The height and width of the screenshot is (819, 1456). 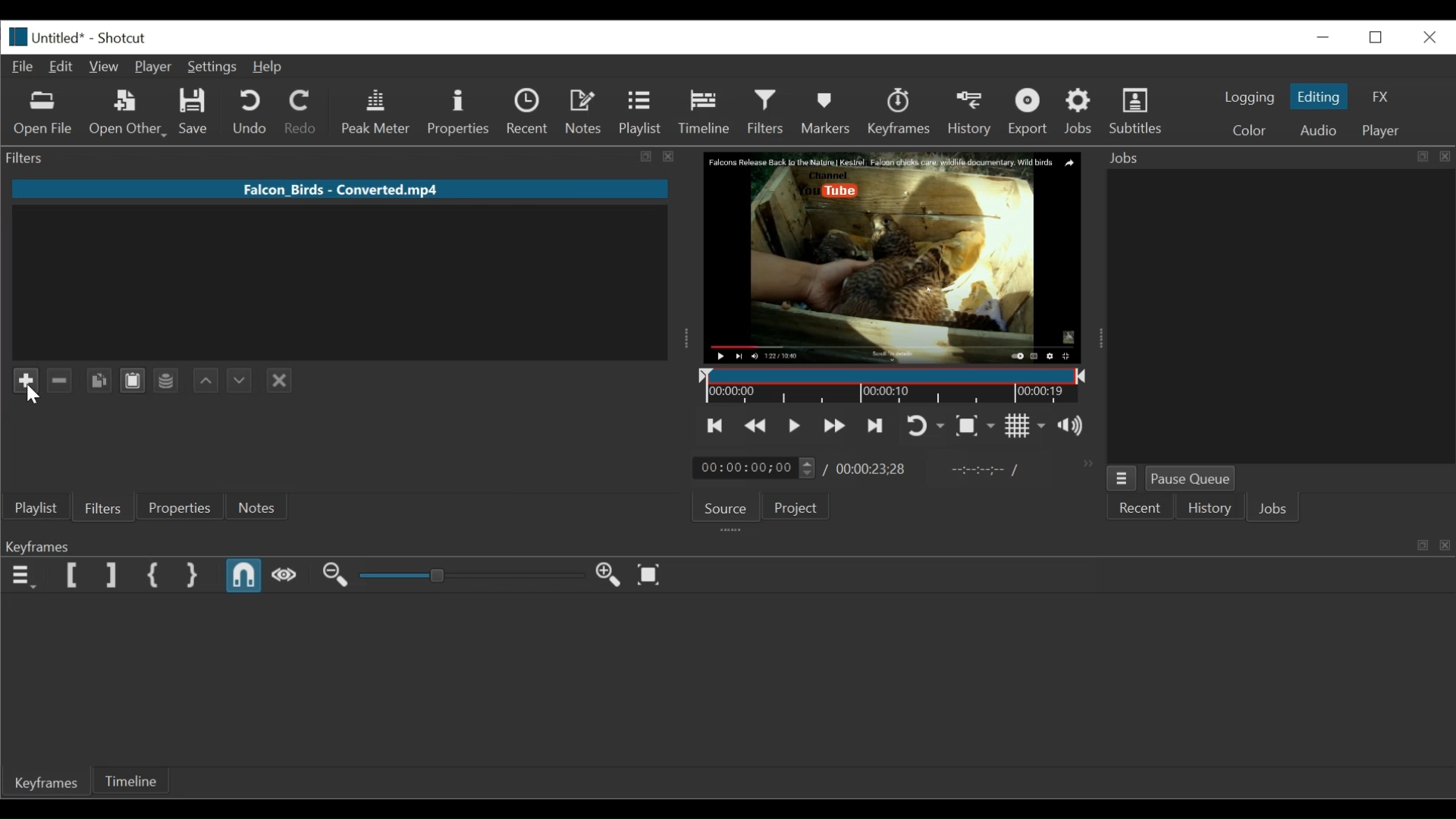 I want to click on Jobs Menu, so click(x=1123, y=479).